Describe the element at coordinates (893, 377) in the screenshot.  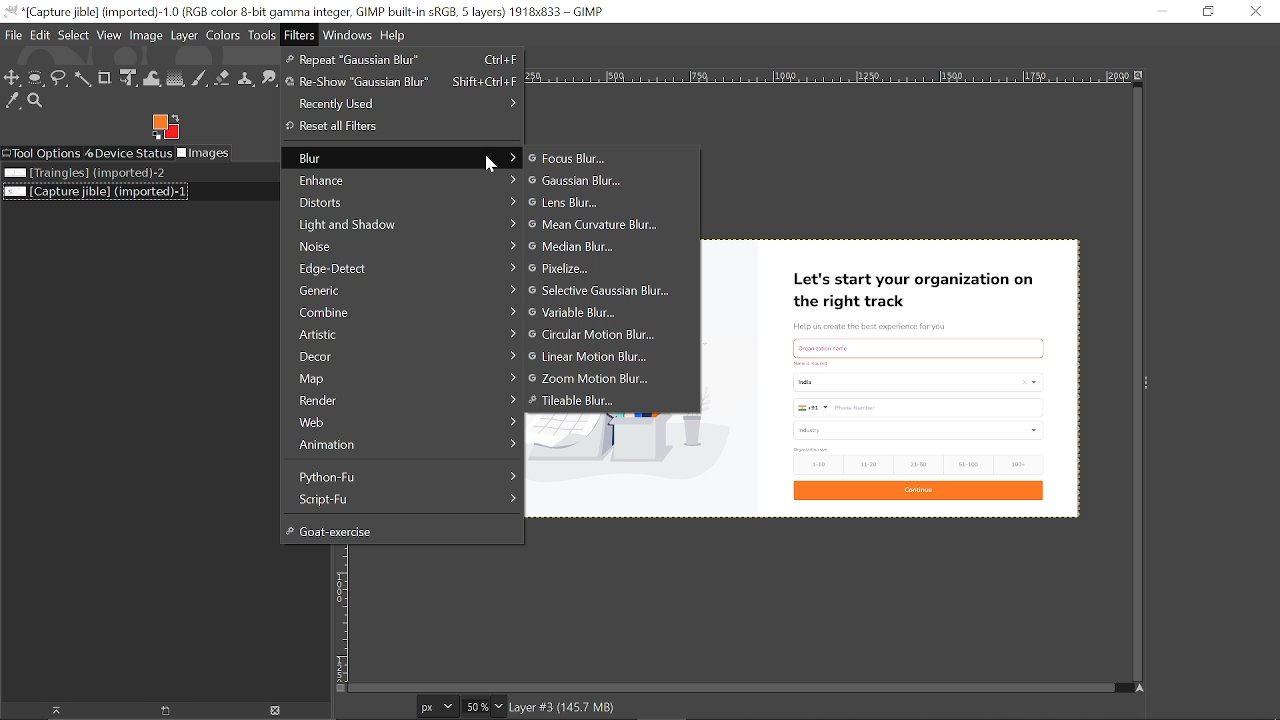
I see `Current image` at that location.